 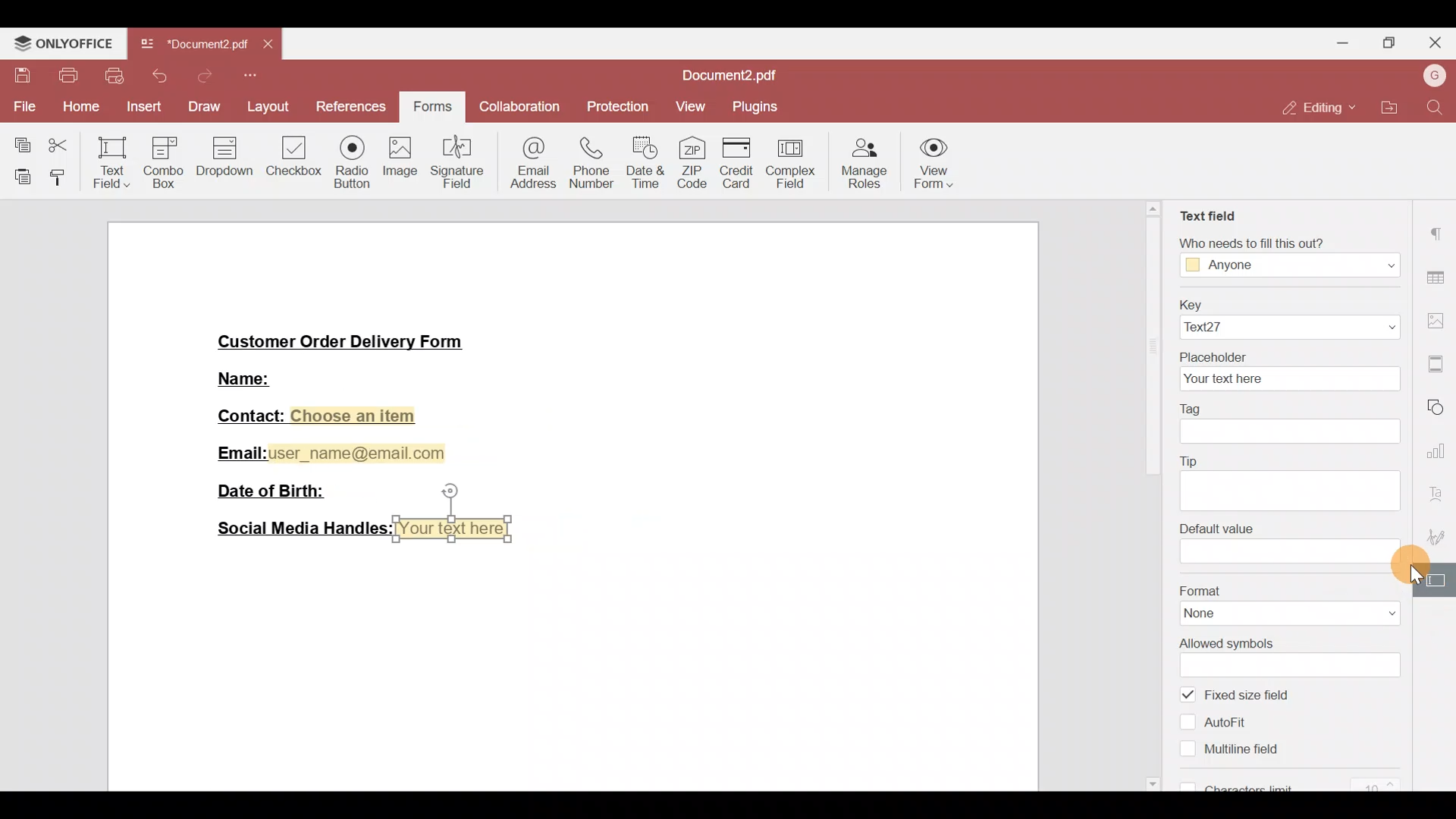 I want to click on Date & time, so click(x=645, y=162).